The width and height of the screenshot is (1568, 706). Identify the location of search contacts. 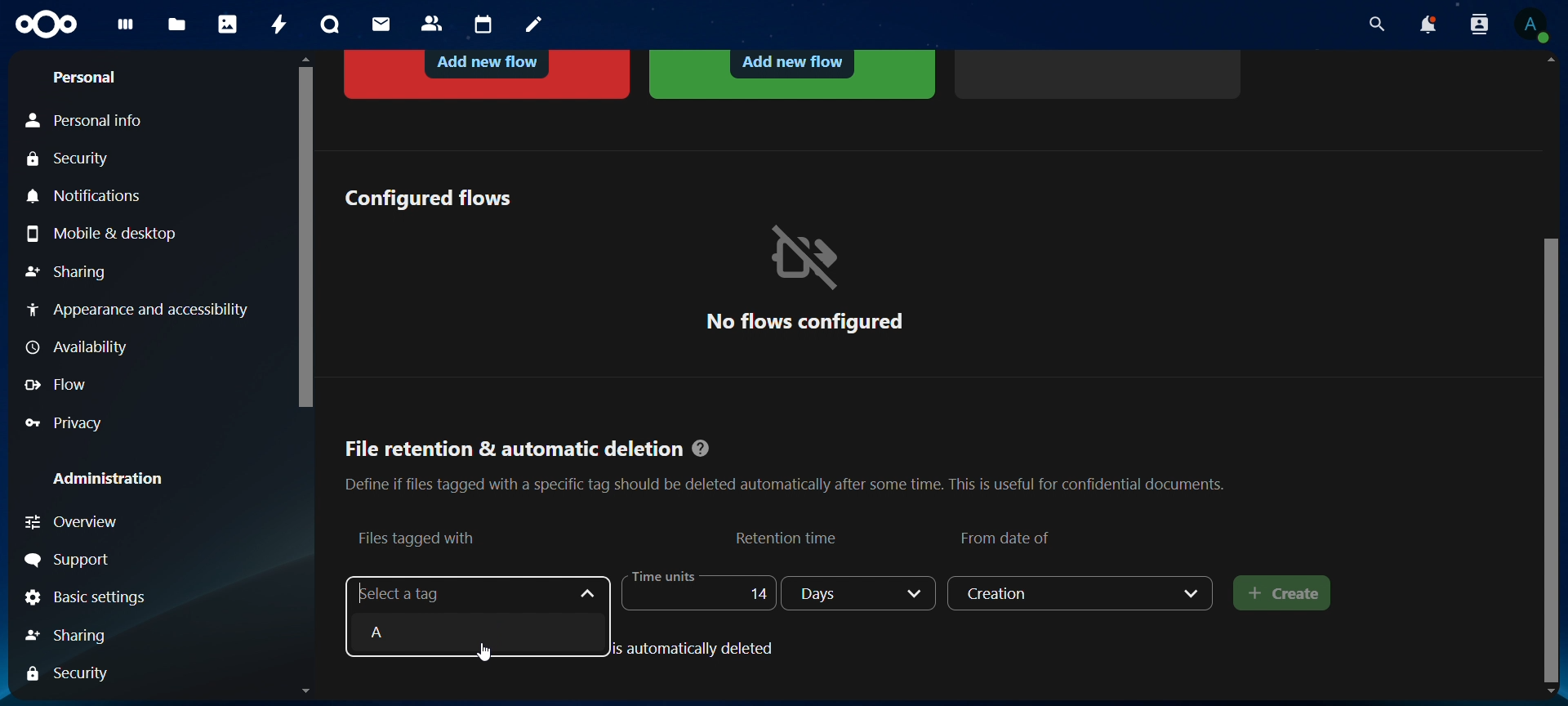
(1483, 25).